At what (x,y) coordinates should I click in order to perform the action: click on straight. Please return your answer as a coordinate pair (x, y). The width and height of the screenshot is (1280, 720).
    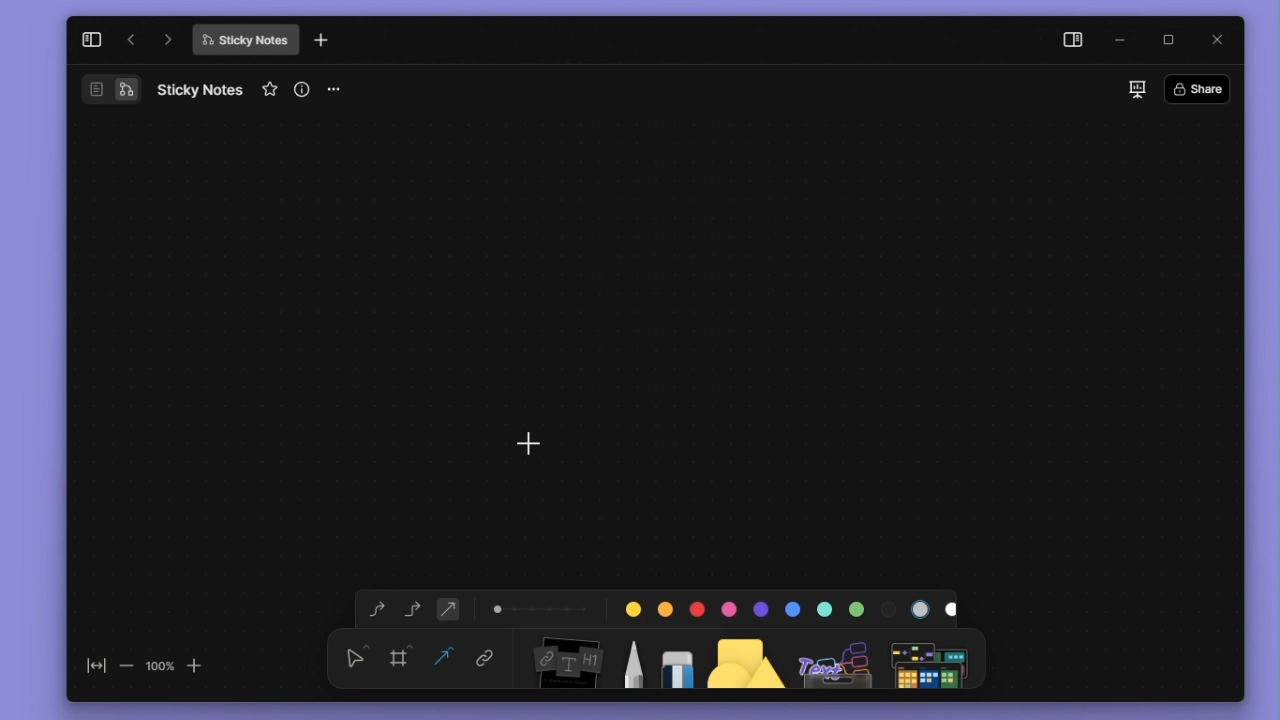
    Looking at the image, I should click on (444, 659).